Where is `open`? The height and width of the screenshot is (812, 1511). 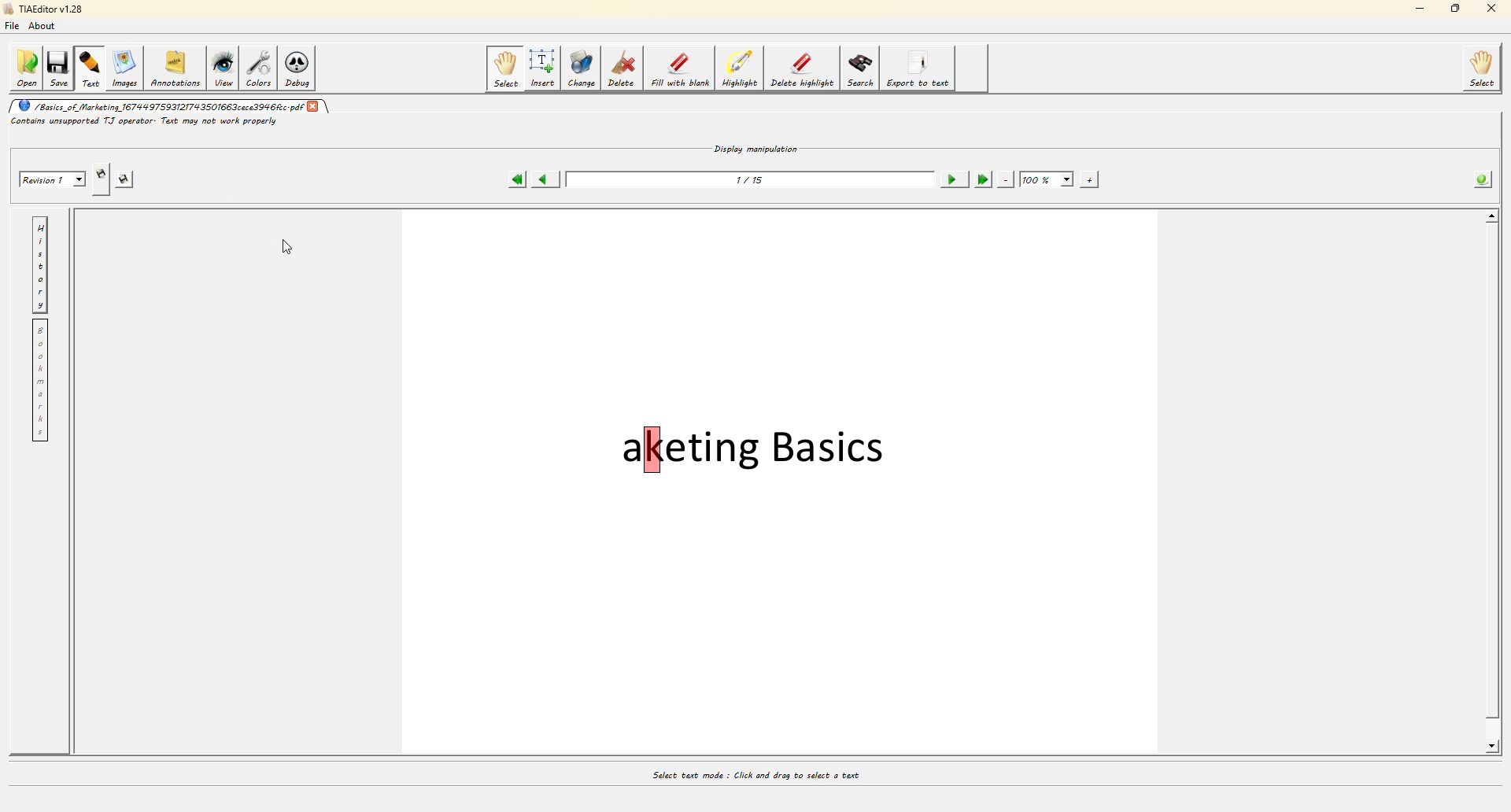 open is located at coordinates (25, 65).